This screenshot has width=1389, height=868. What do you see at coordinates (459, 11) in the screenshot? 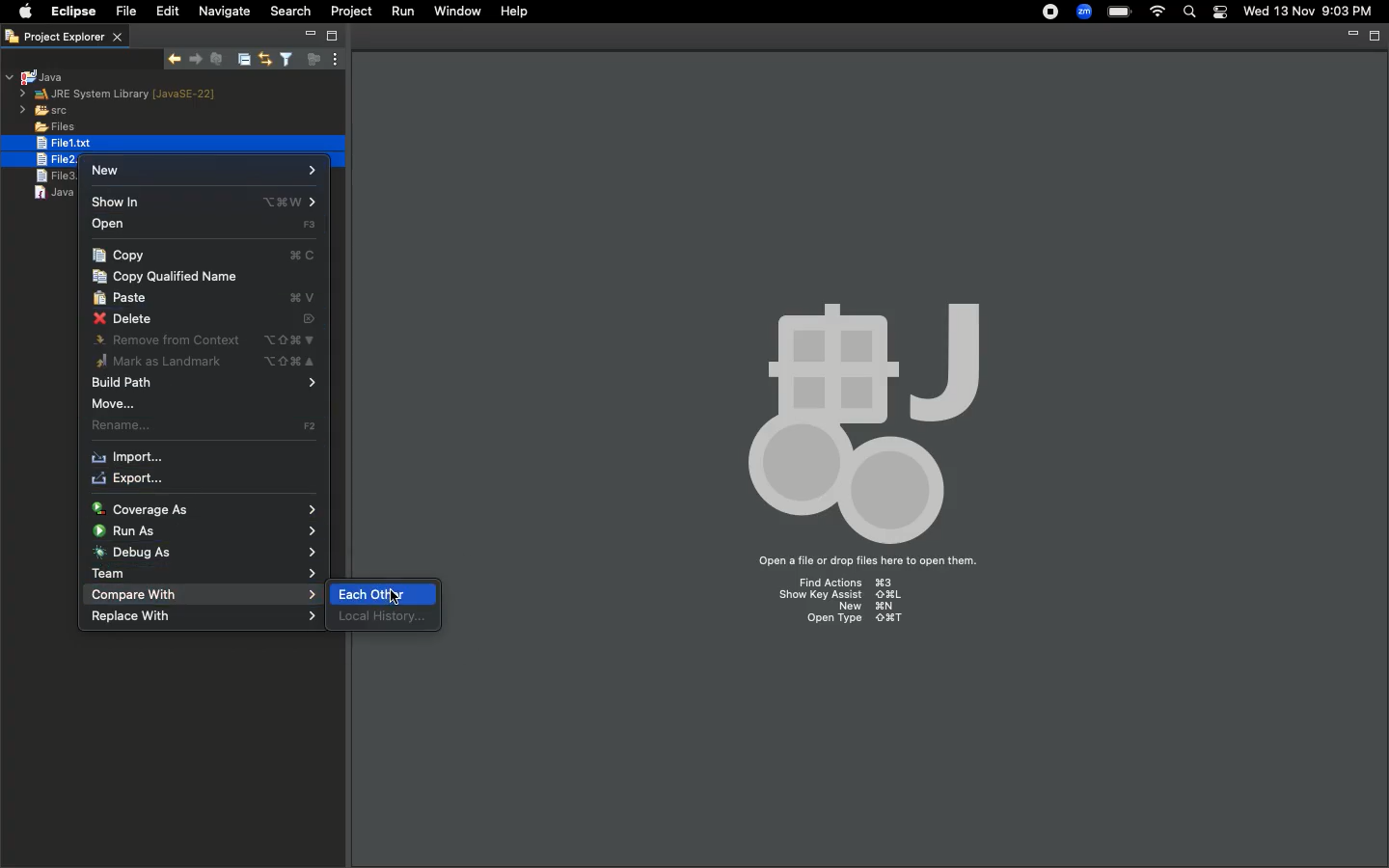
I see `Window` at bounding box center [459, 11].